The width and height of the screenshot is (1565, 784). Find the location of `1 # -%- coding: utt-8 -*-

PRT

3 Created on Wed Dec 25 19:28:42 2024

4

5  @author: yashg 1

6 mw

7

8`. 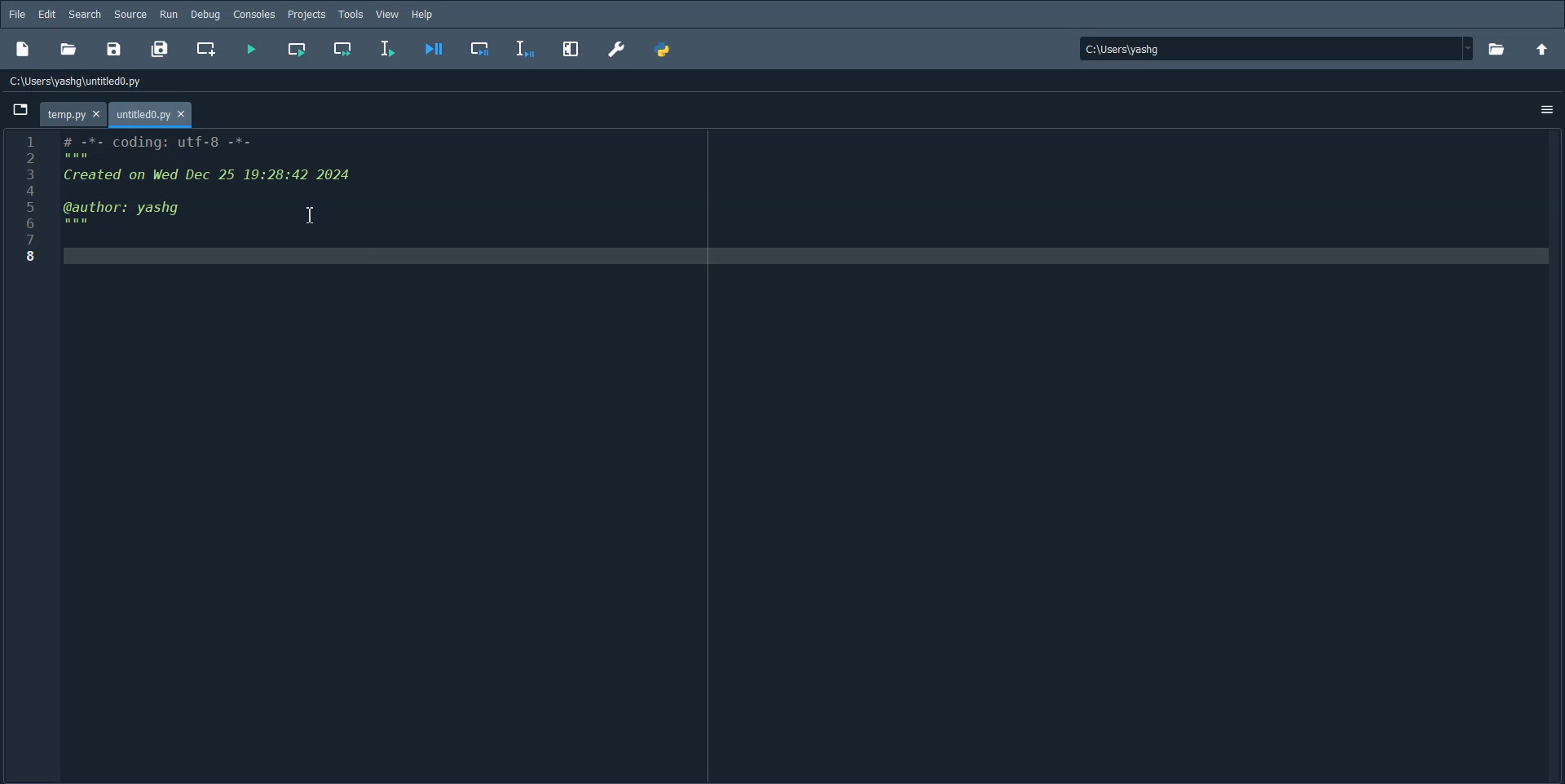

1 # -%- coding: utt-8 -*-

PRT

3 Created on Wed Dec 25 19:28:42 2024

4

5  @author: yashg 1

6 mw

7

8 is located at coordinates (178, 201).